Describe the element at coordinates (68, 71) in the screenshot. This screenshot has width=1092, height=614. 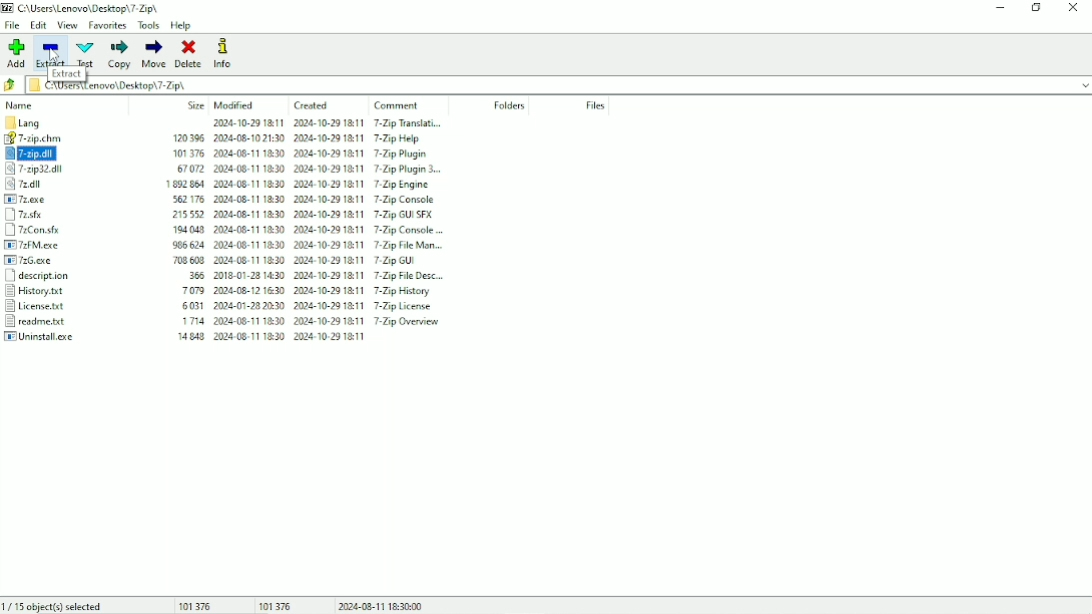
I see `` at that location.